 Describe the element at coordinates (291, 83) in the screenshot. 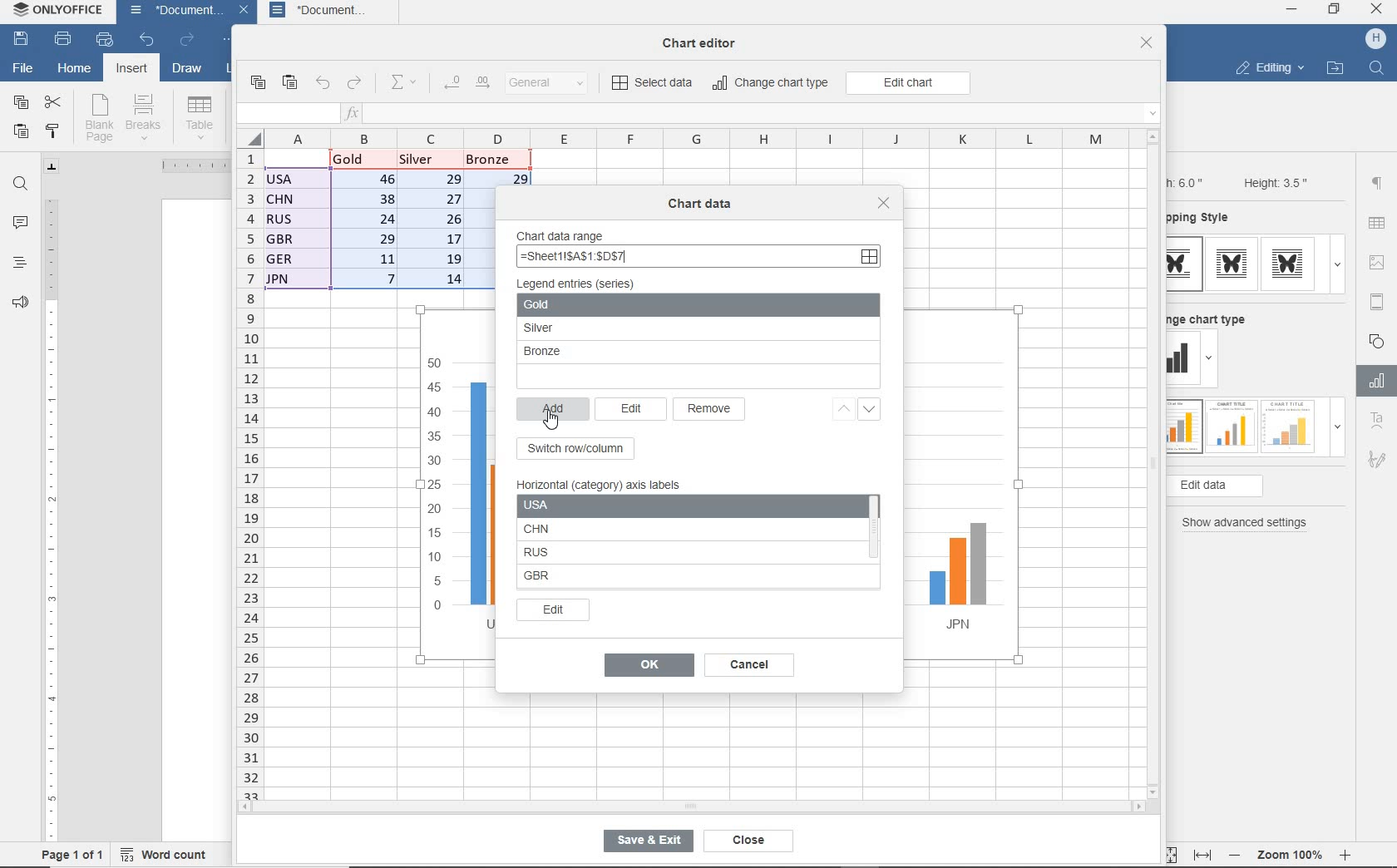

I see `paste` at that location.